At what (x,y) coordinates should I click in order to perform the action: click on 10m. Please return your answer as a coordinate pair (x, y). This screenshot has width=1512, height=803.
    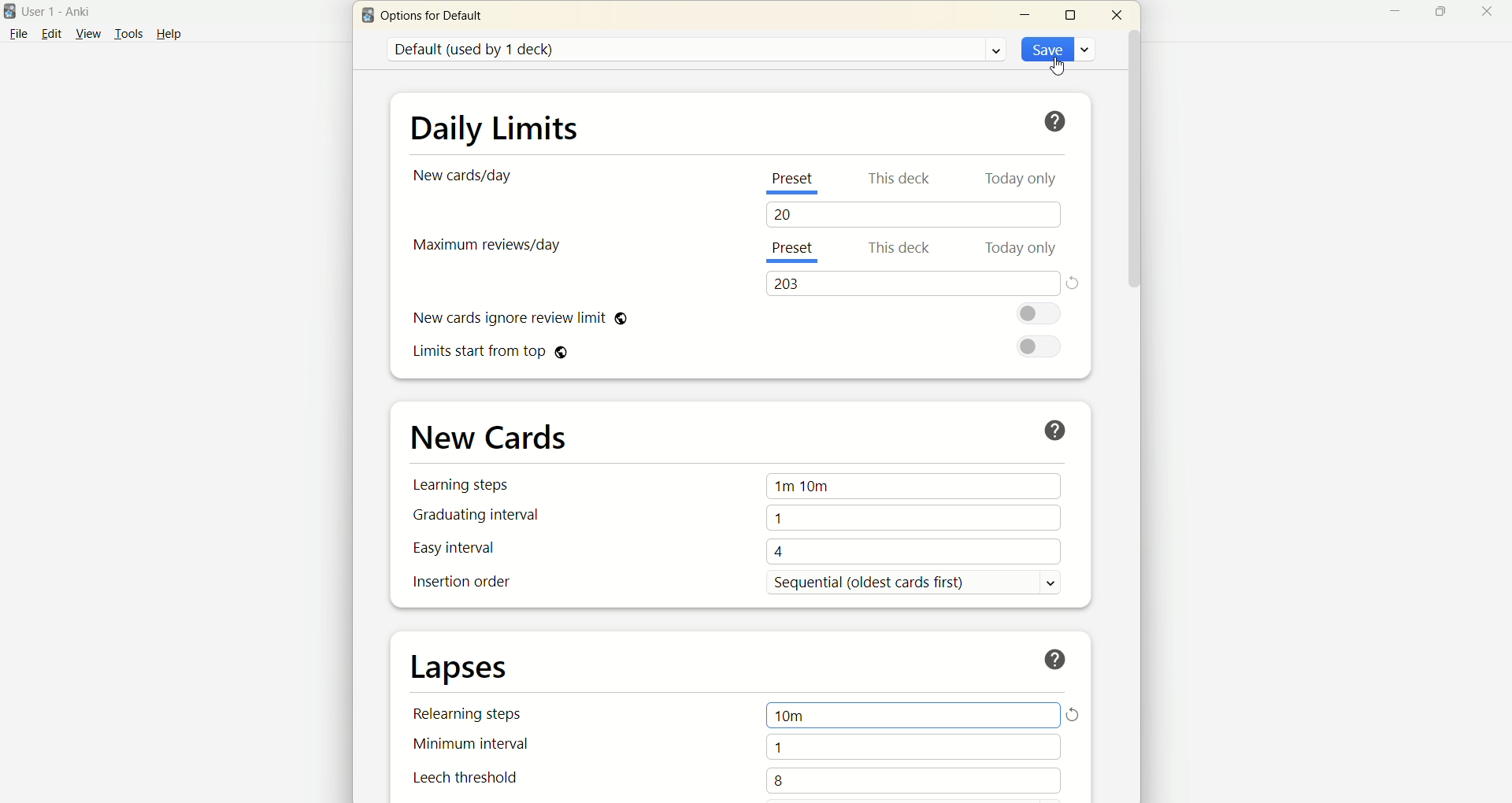
    Looking at the image, I should click on (910, 716).